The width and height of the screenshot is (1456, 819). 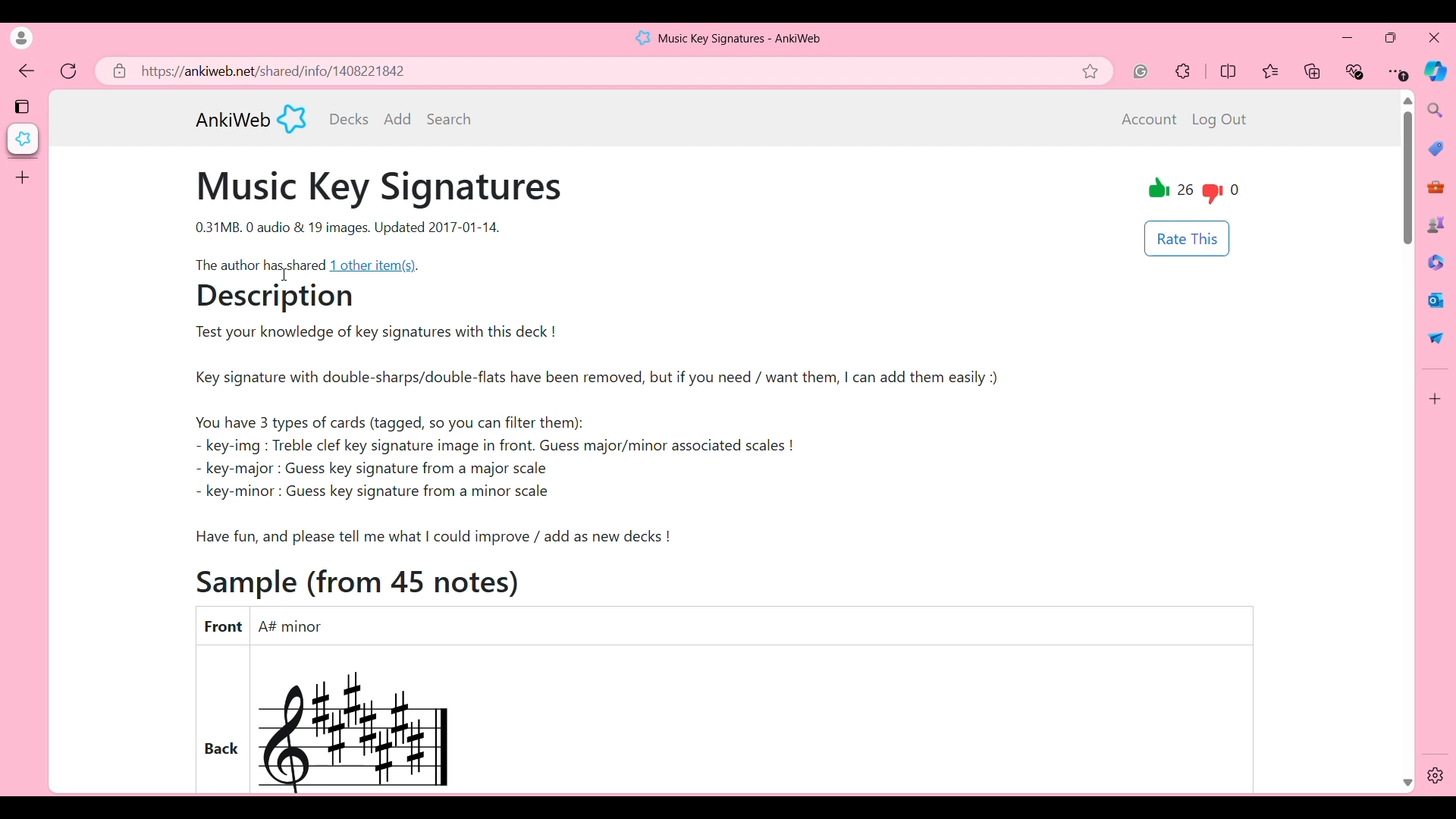 What do you see at coordinates (1187, 239) in the screenshot?
I see `Rate this` at bounding box center [1187, 239].